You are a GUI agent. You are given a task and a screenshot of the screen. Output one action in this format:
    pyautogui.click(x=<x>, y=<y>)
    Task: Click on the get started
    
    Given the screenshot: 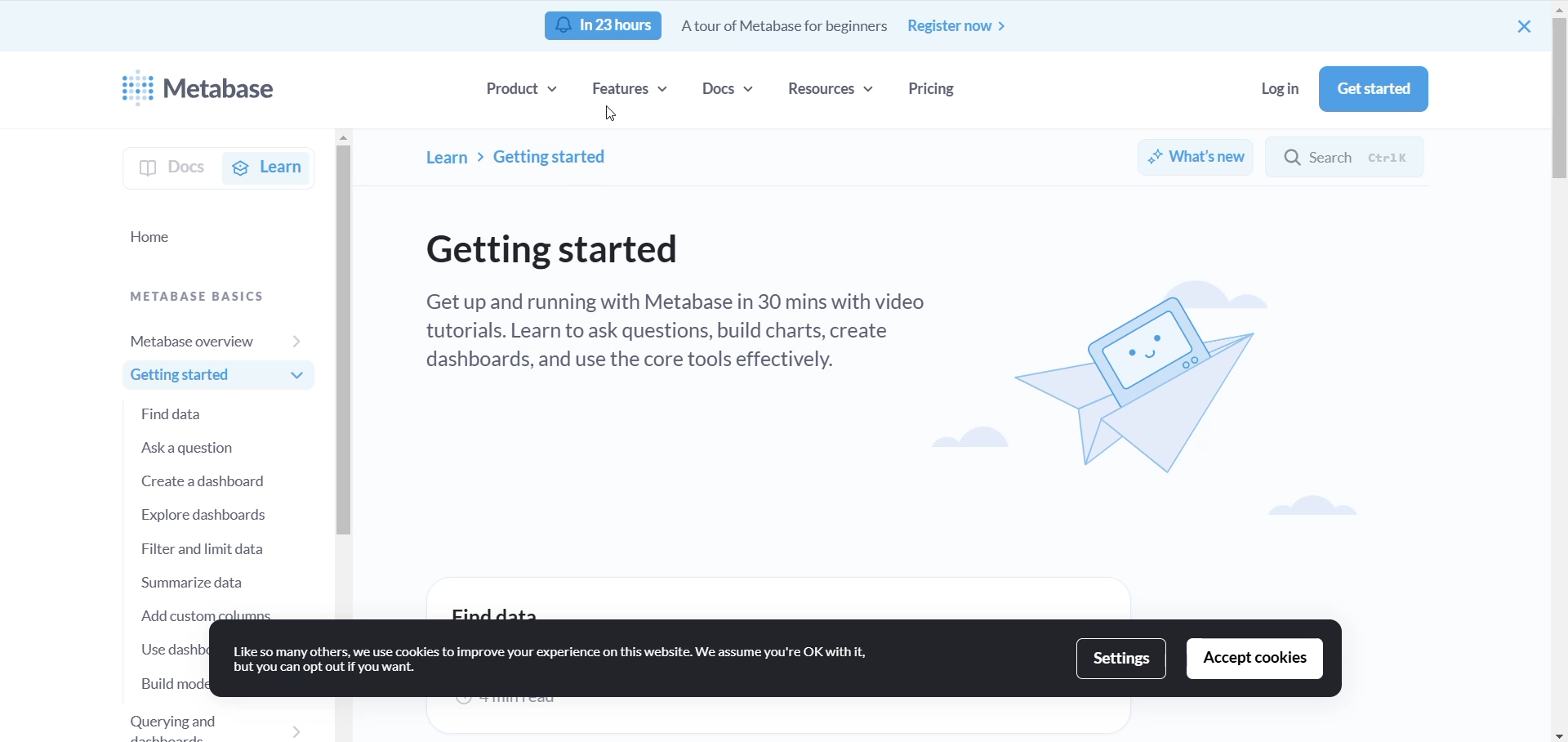 What is the action you would take?
    pyautogui.click(x=1374, y=90)
    